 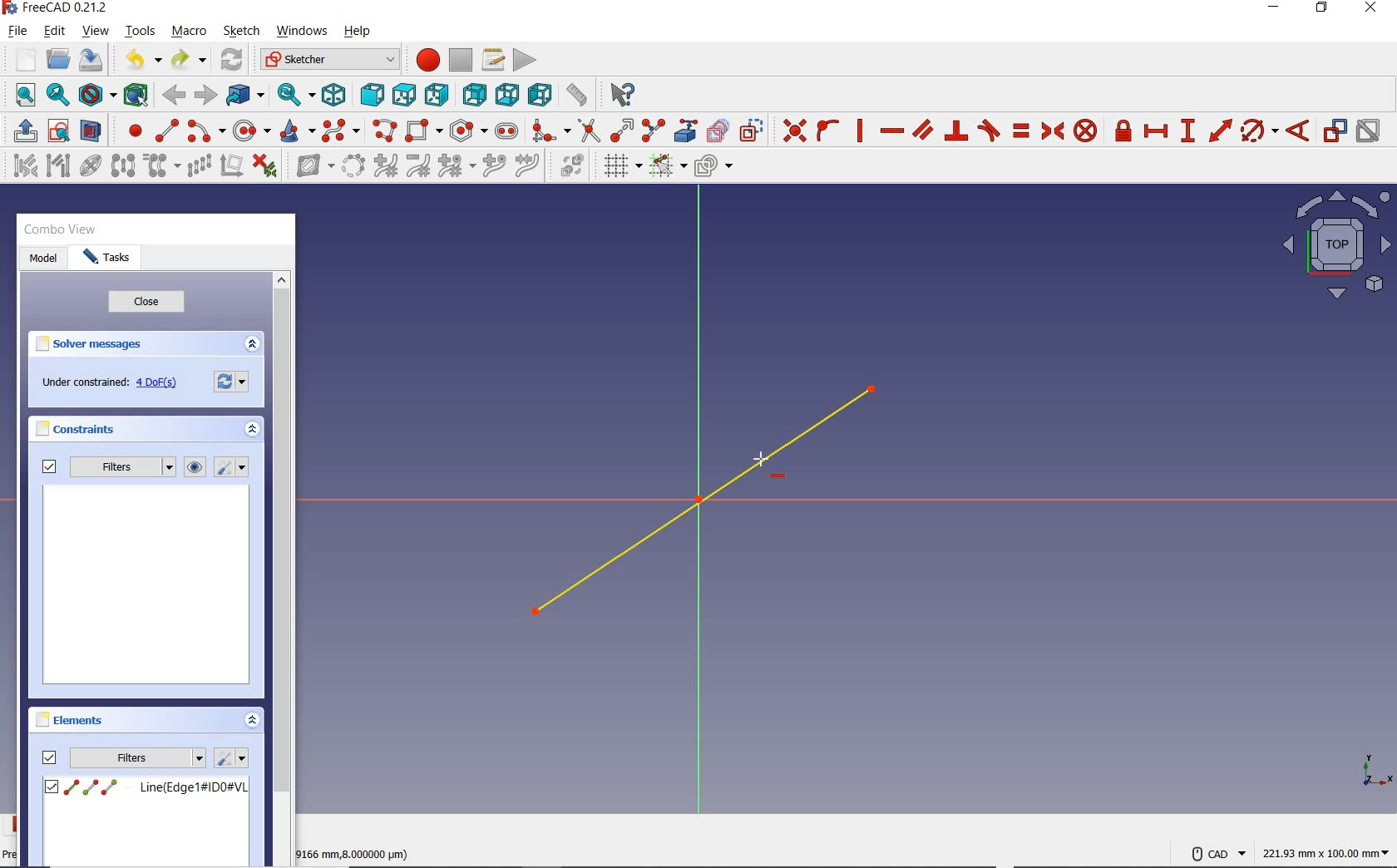 What do you see at coordinates (550, 129) in the screenshot?
I see `CREATE FILLET` at bounding box center [550, 129].